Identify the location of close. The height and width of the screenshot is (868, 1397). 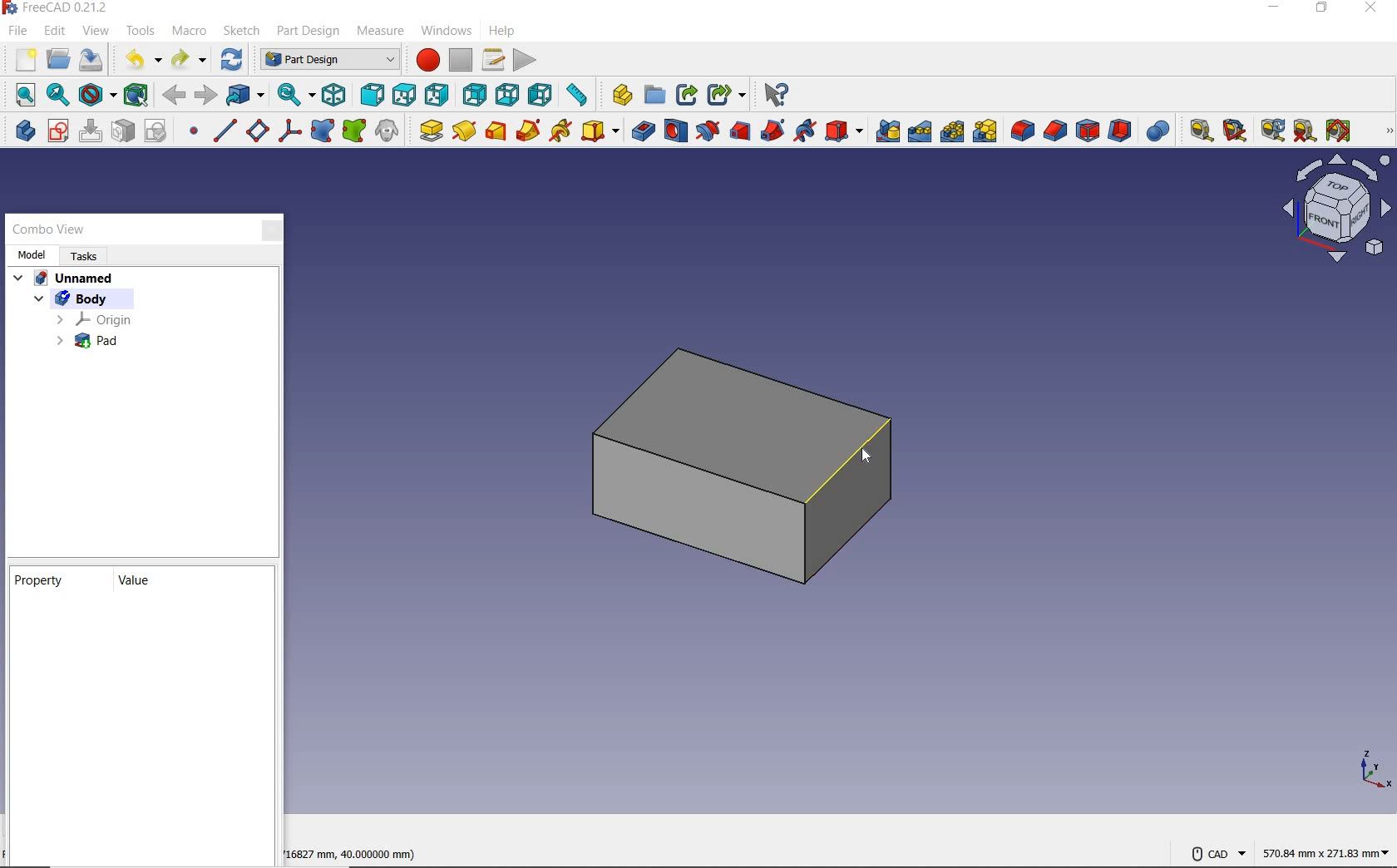
(1370, 9).